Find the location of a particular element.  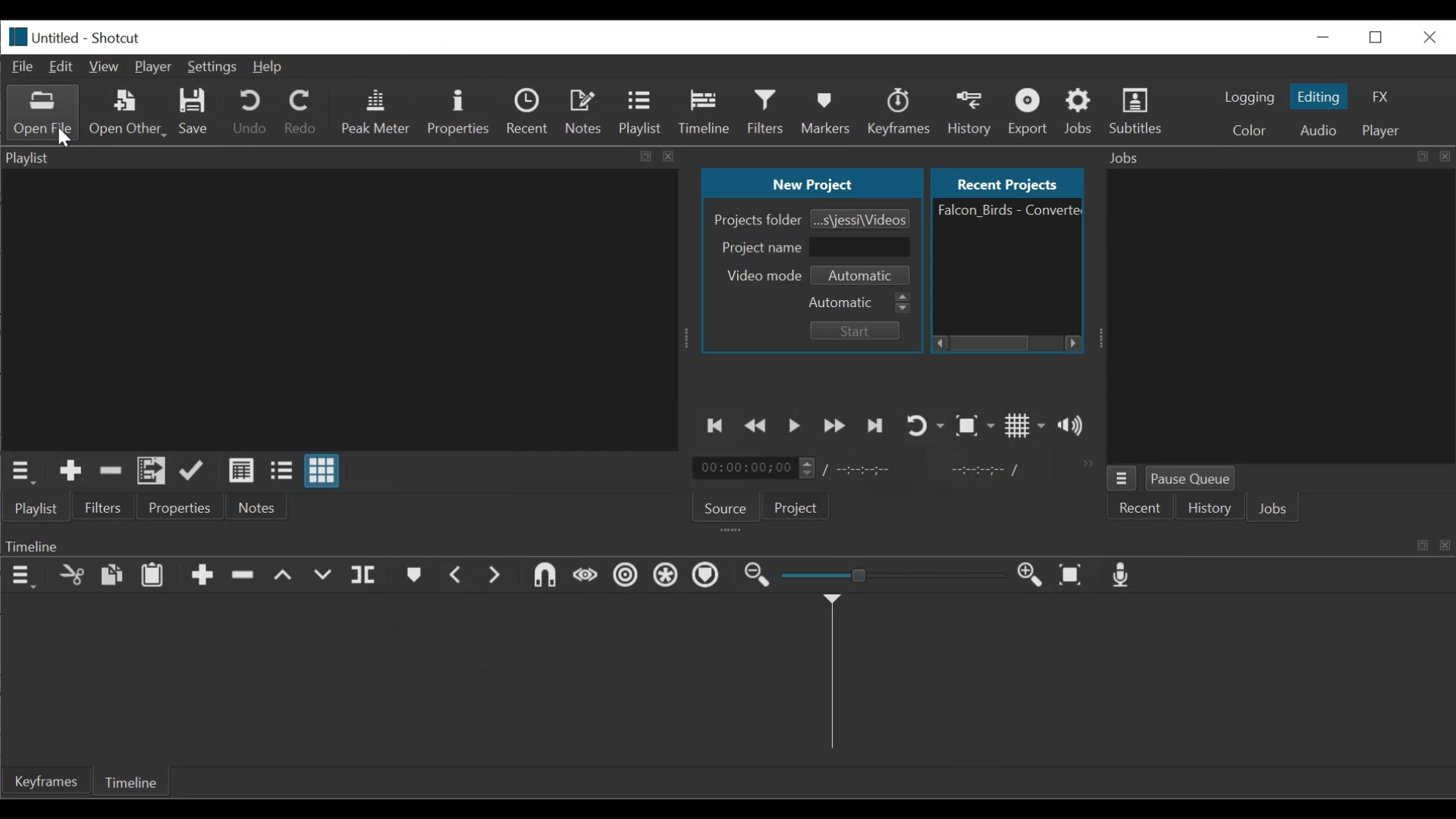

Update is located at coordinates (196, 472).